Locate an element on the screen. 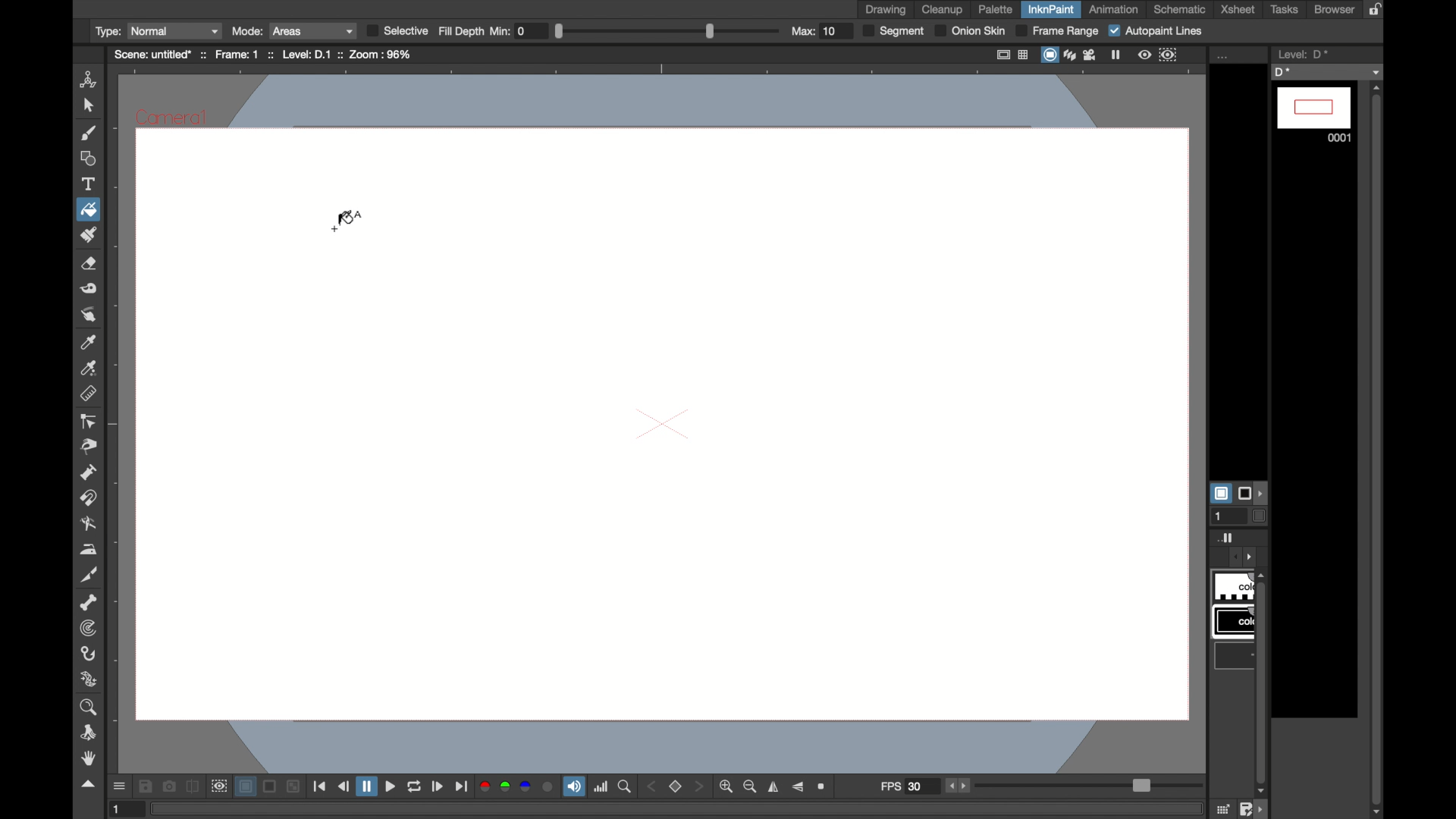 The height and width of the screenshot is (819, 1456). eraser tool is located at coordinates (88, 264).